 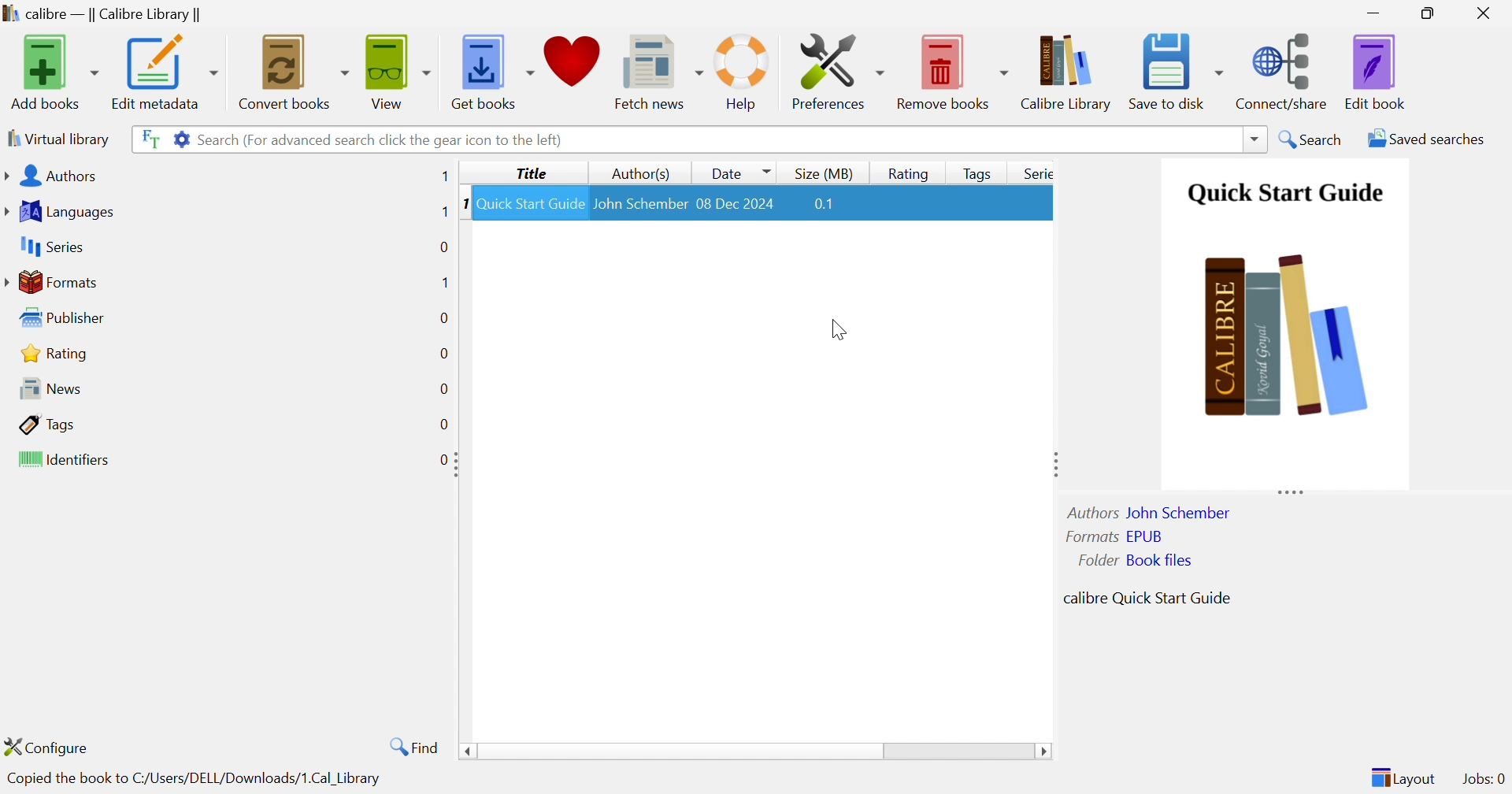 What do you see at coordinates (443, 354) in the screenshot?
I see `0` at bounding box center [443, 354].